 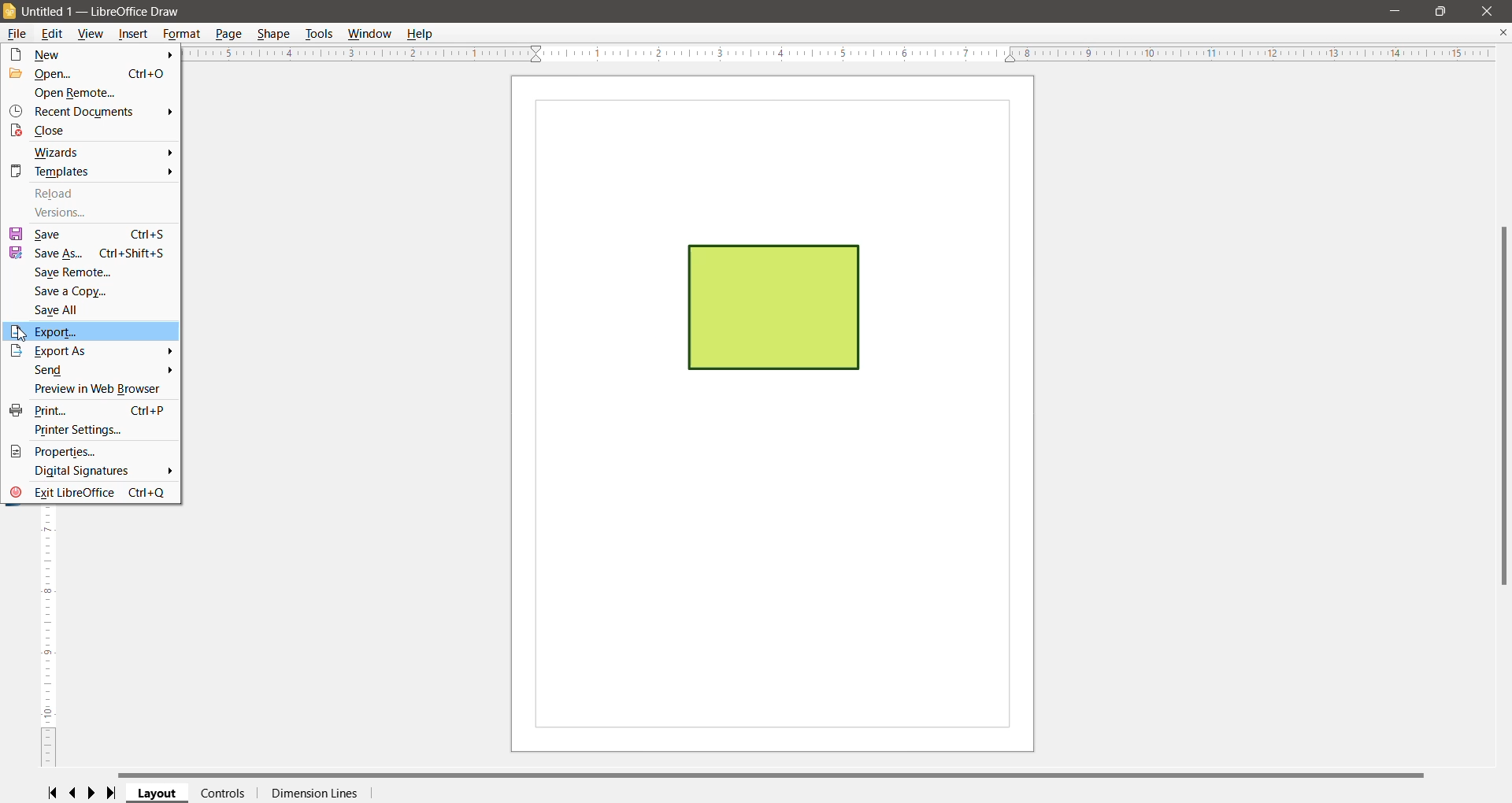 What do you see at coordinates (116, 794) in the screenshot?
I see `Scroll to last page` at bounding box center [116, 794].